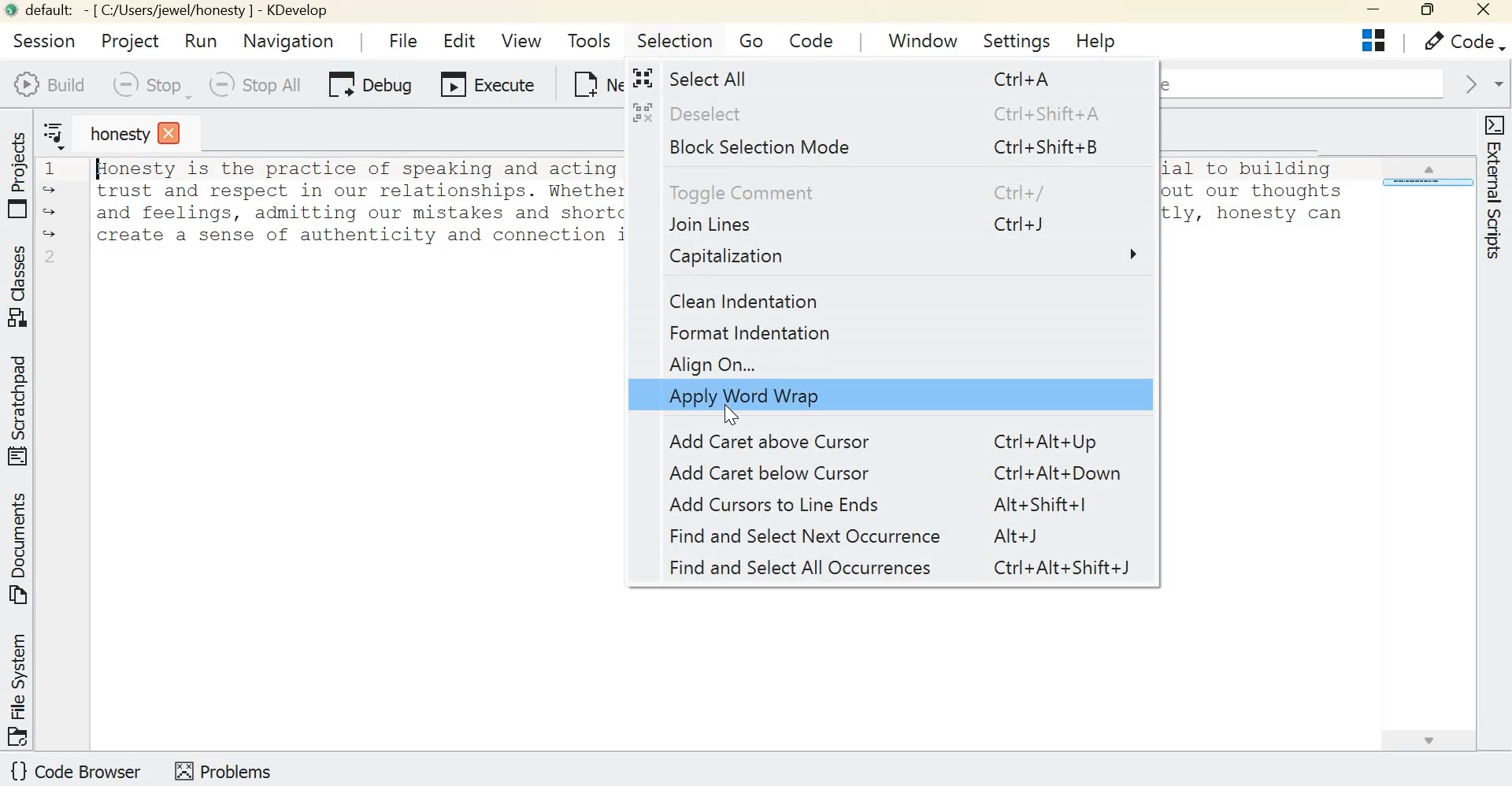 Image resolution: width=1512 pixels, height=786 pixels. Describe the element at coordinates (128, 39) in the screenshot. I see `Project` at that location.